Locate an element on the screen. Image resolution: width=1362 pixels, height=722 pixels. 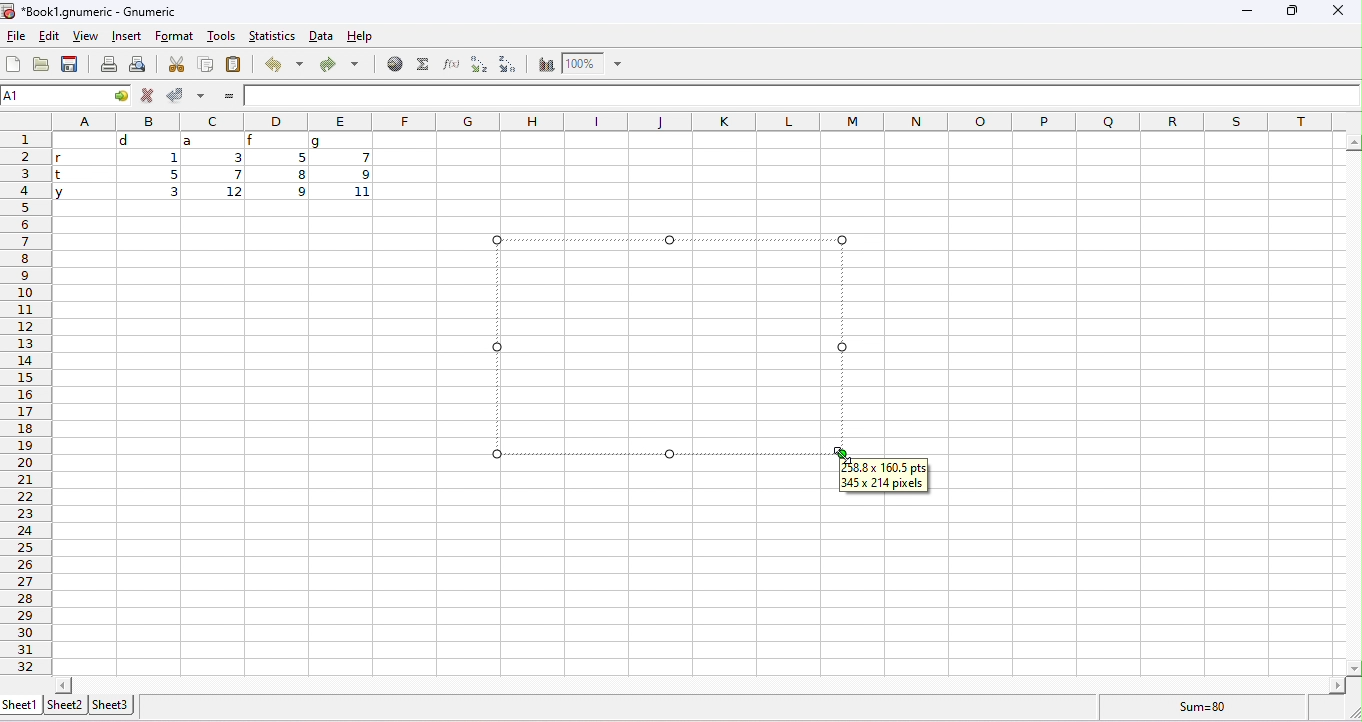
new is located at coordinates (12, 64).